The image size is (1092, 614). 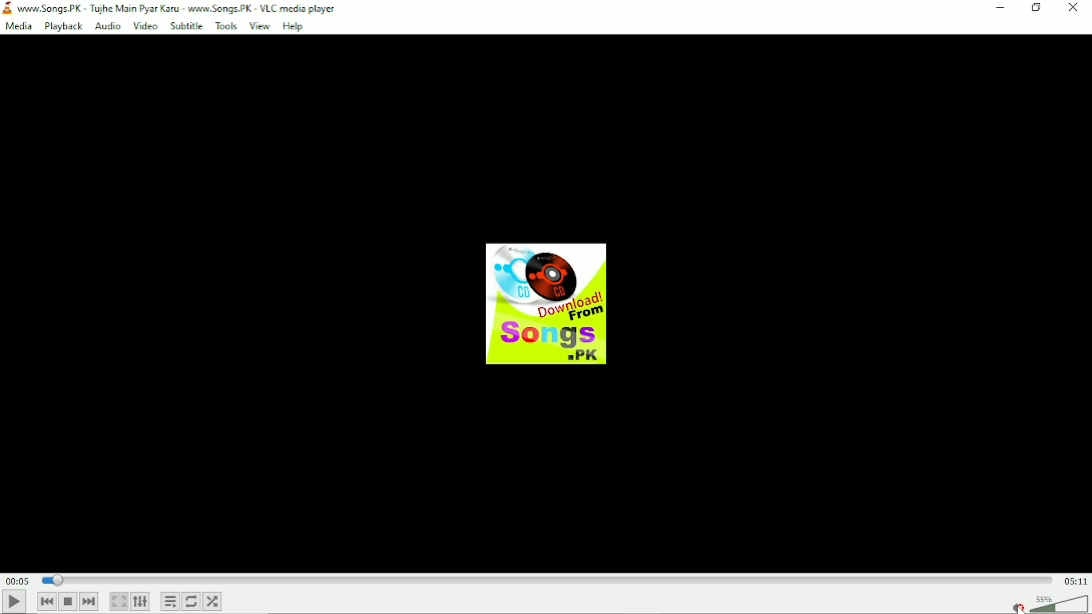 What do you see at coordinates (140, 602) in the screenshot?
I see `Show extended settings` at bounding box center [140, 602].